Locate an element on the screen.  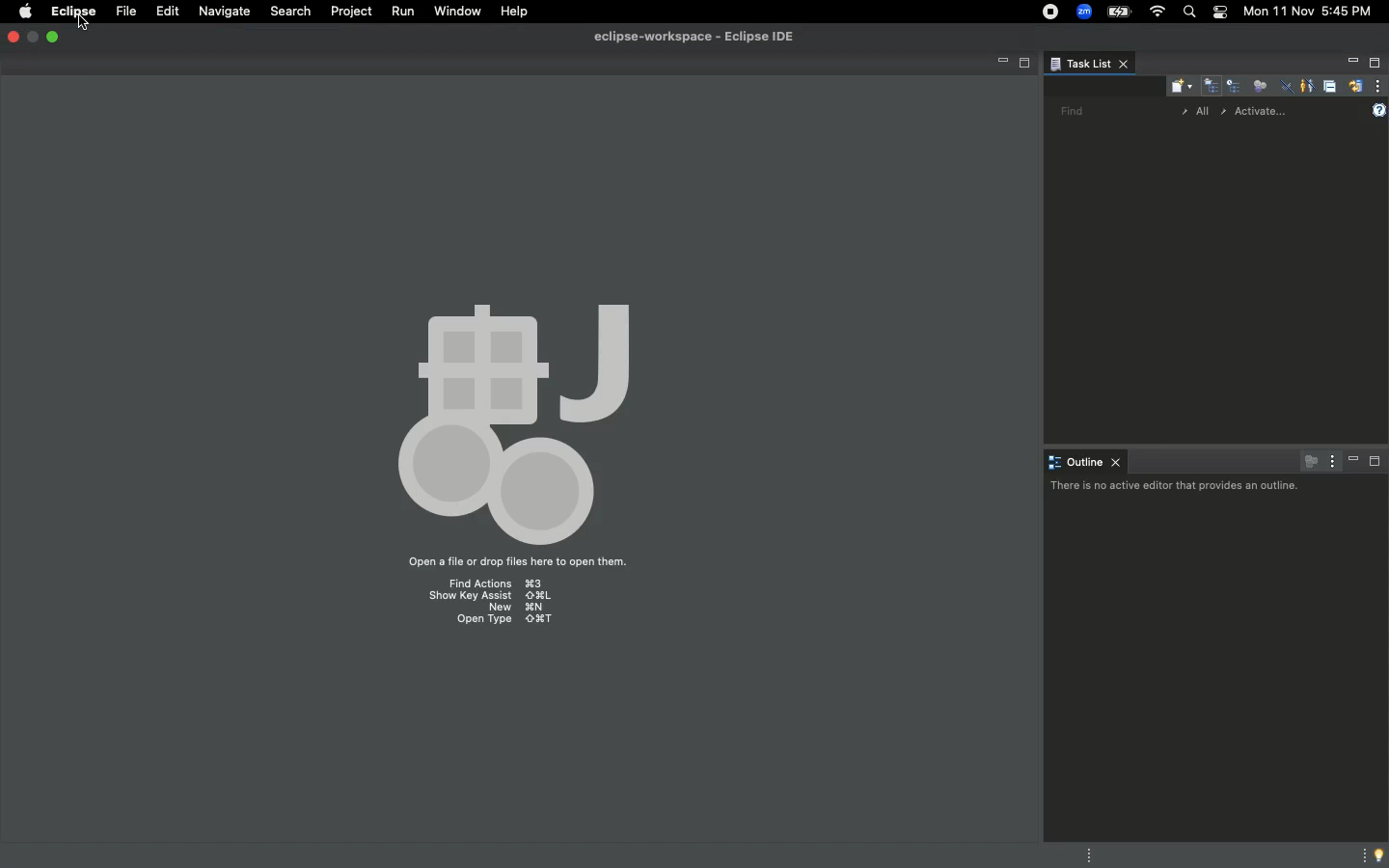
Maximize is located at coordinates (1025, 66).